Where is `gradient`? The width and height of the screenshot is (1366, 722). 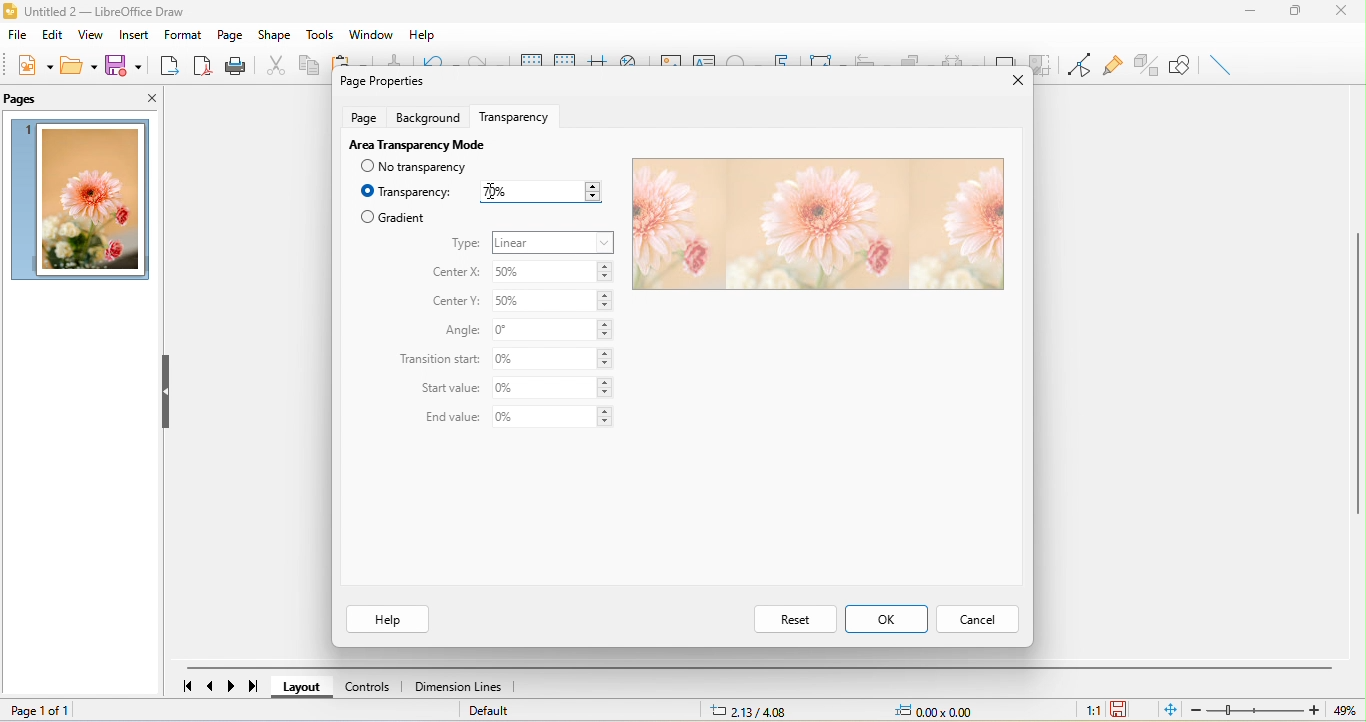
gradient is located at coordinates (393, 217).